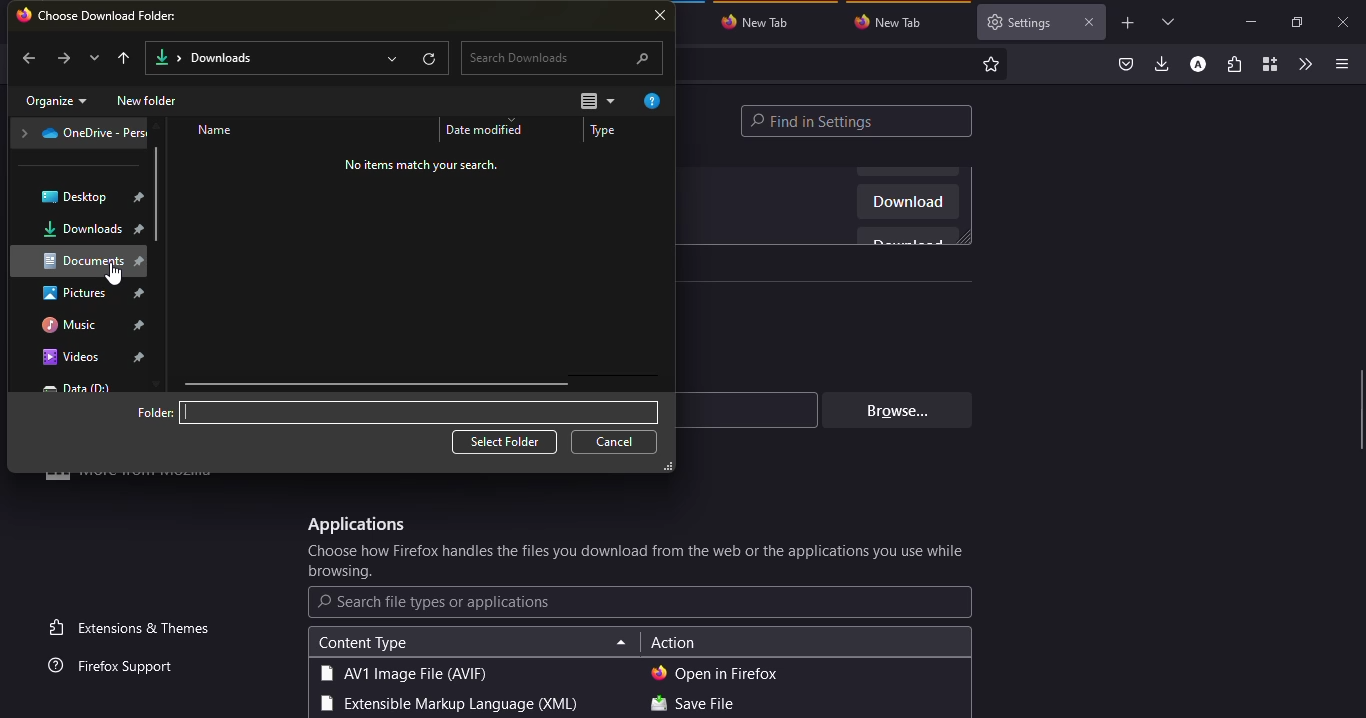  I want to click on more, so click(94, 58).